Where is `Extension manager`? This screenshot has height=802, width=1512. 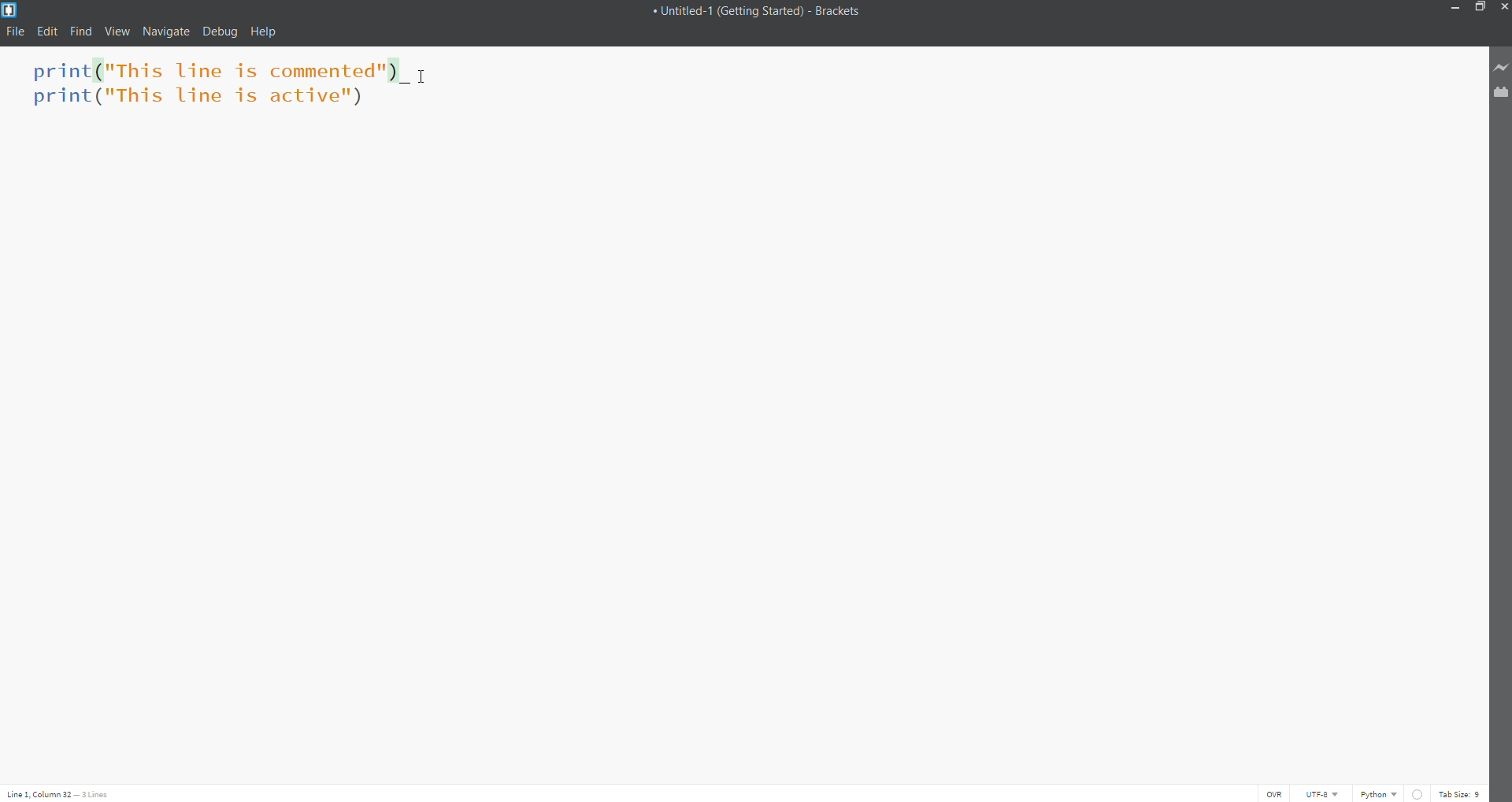 Extension manager is located at coordinates (1499, 92).